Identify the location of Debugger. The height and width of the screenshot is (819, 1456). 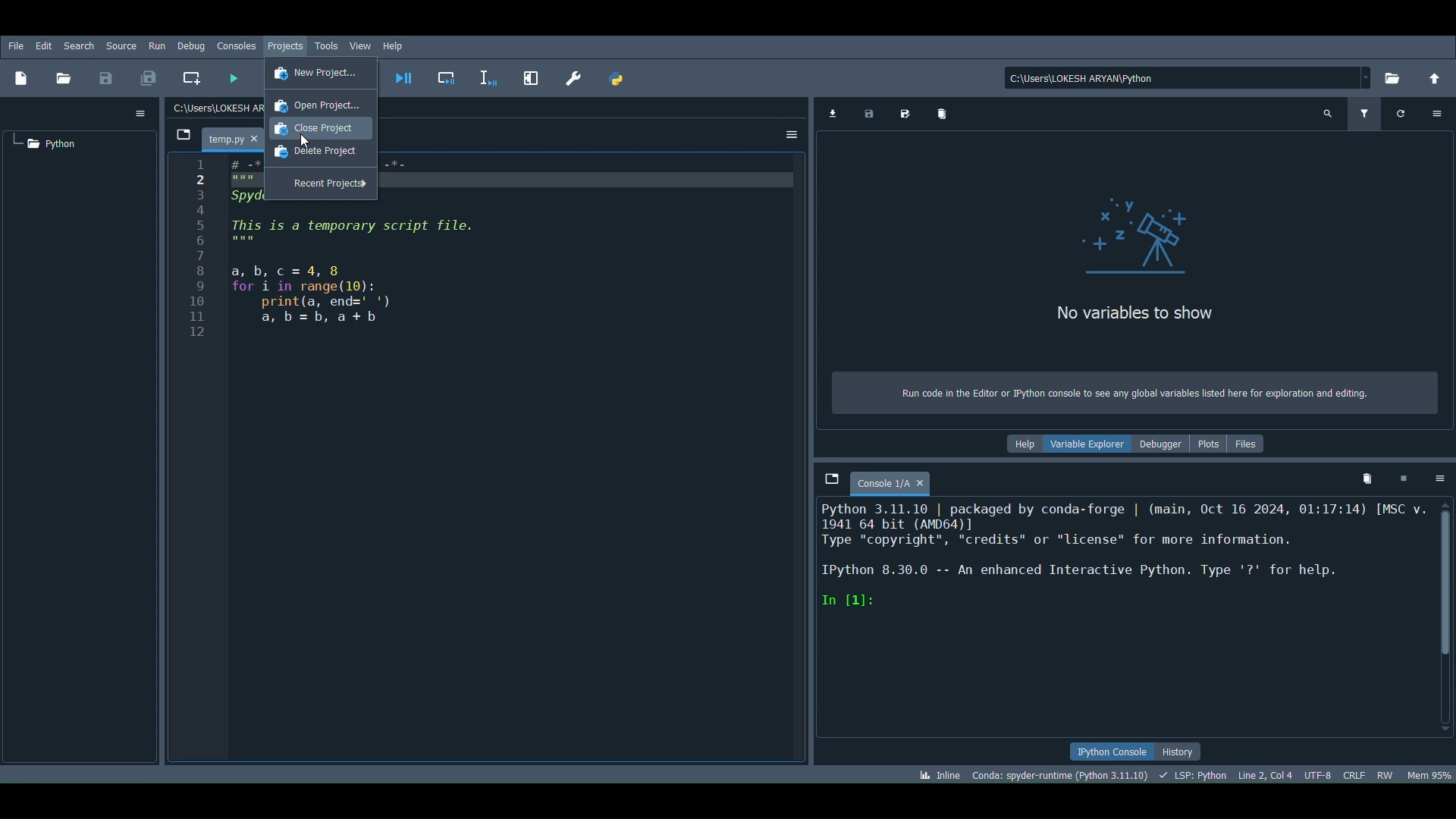
(1164, 444).